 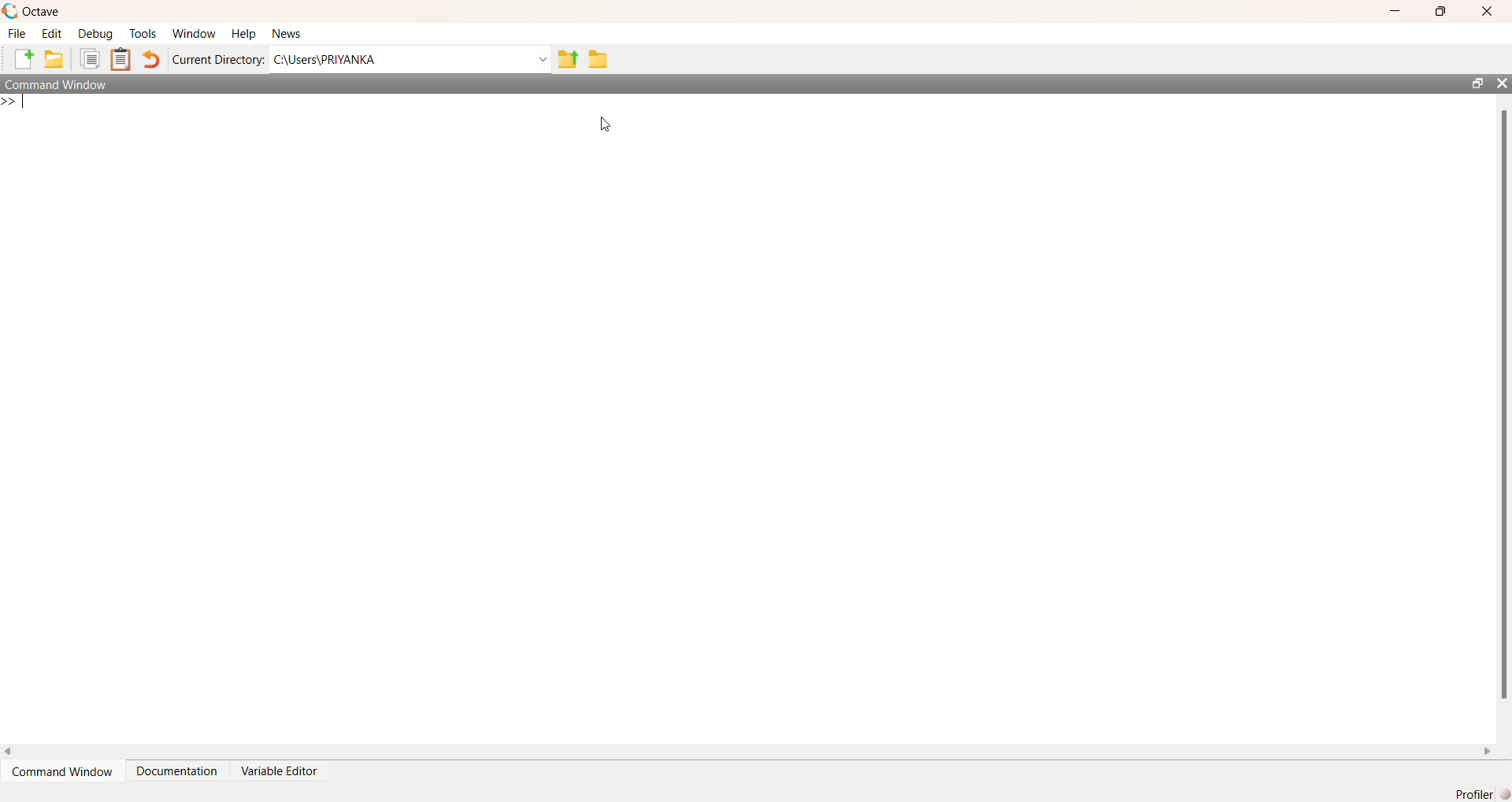 What do you see at coordinates (151, 59) in the screenshot?
I see `undo` at bounding box center [151, 59].